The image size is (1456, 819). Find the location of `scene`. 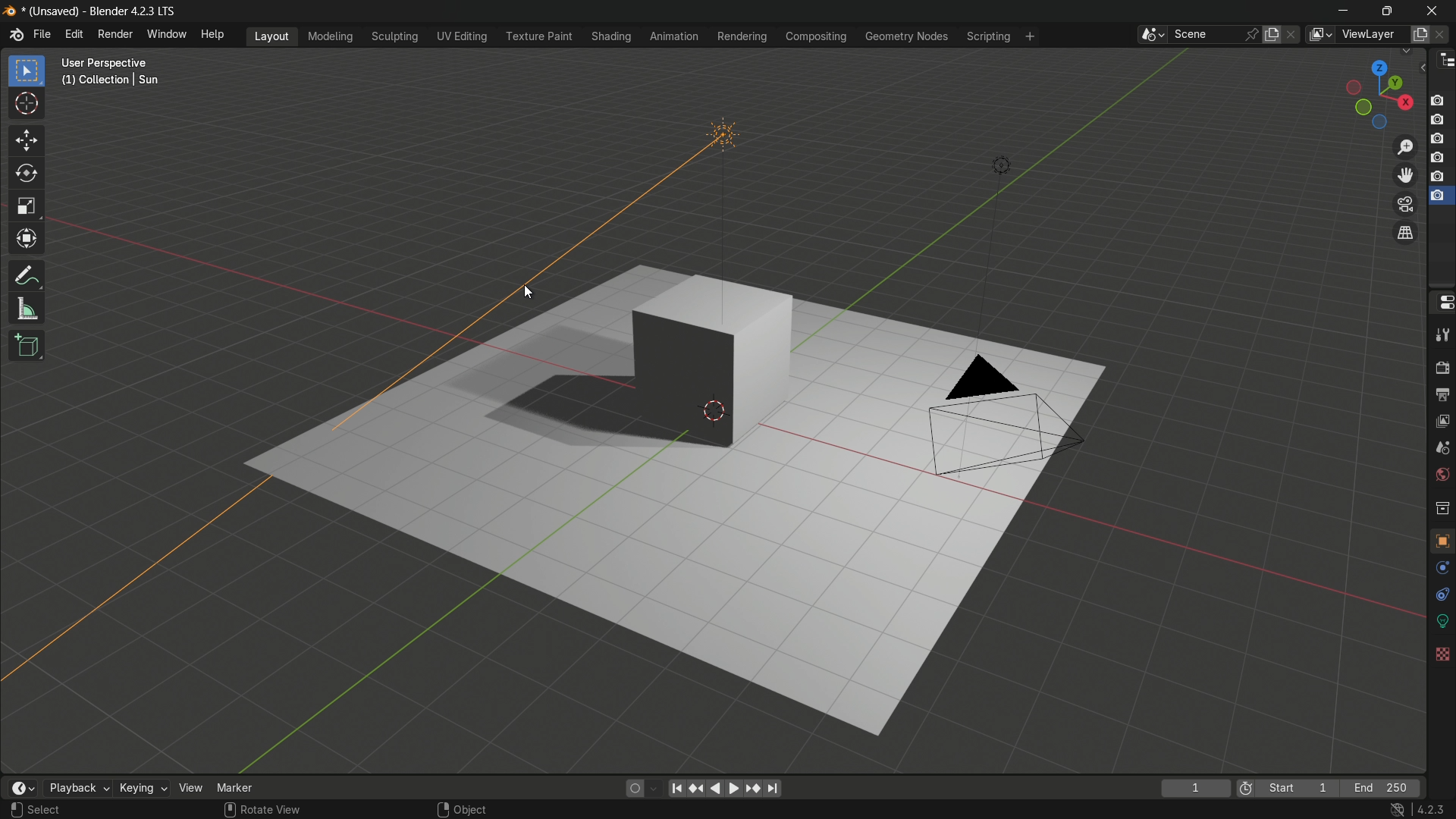

scene is located at coordinates (1444, 447).